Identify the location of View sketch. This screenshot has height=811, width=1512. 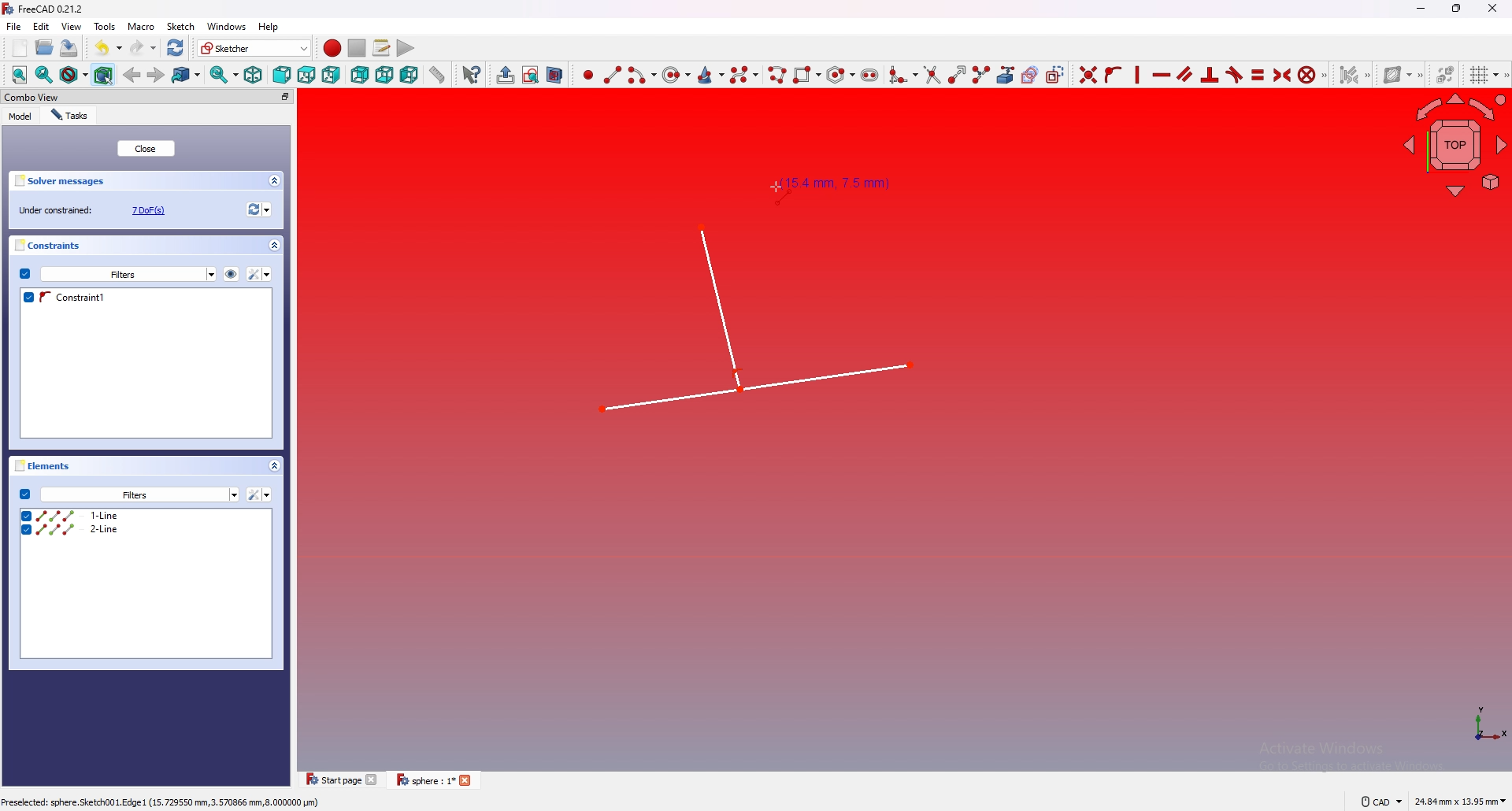
(530, 75).